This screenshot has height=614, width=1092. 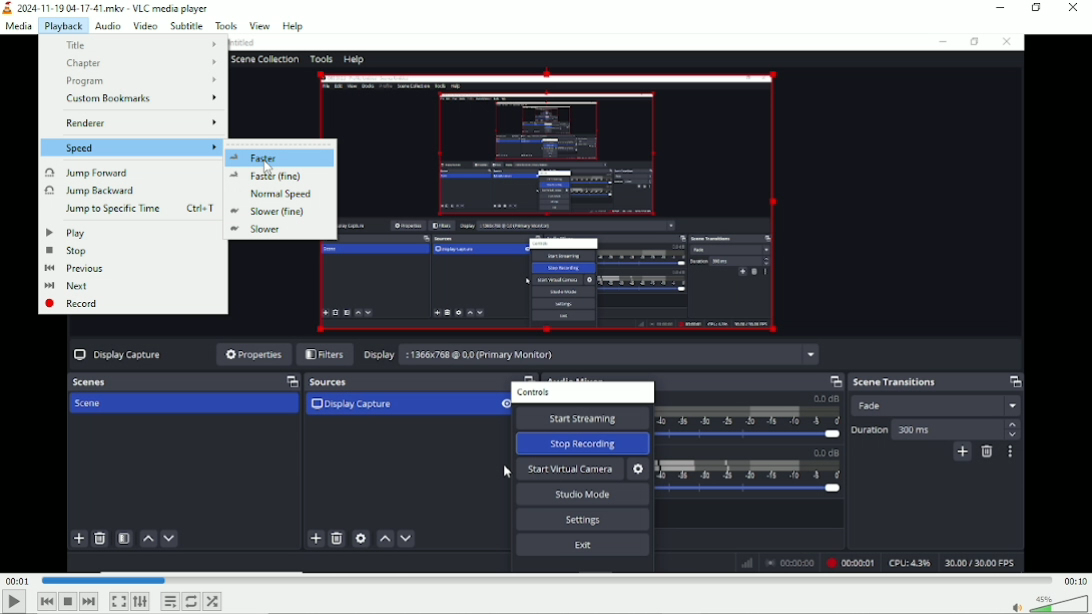 What do you see at coordinates (260, 24) in the screenshot?
I see `view` at bounding box center [260, 24].